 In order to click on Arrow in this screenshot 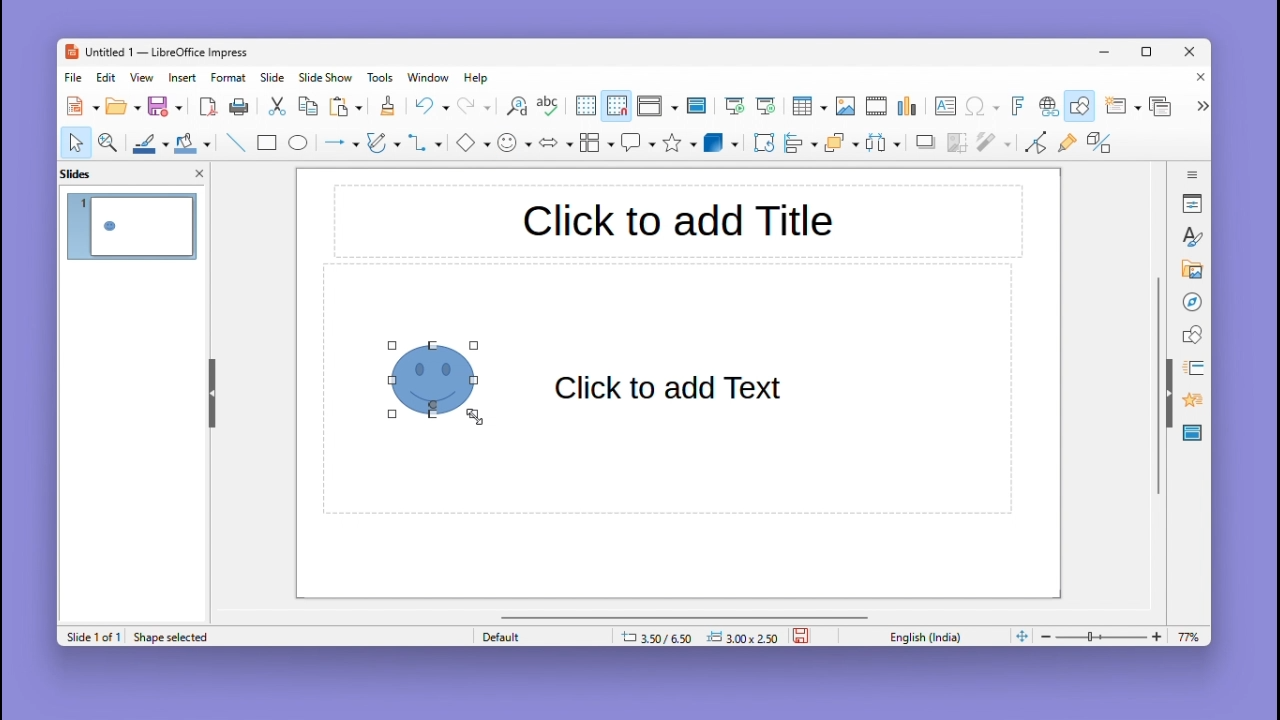, I will do `click(339, 143)`.